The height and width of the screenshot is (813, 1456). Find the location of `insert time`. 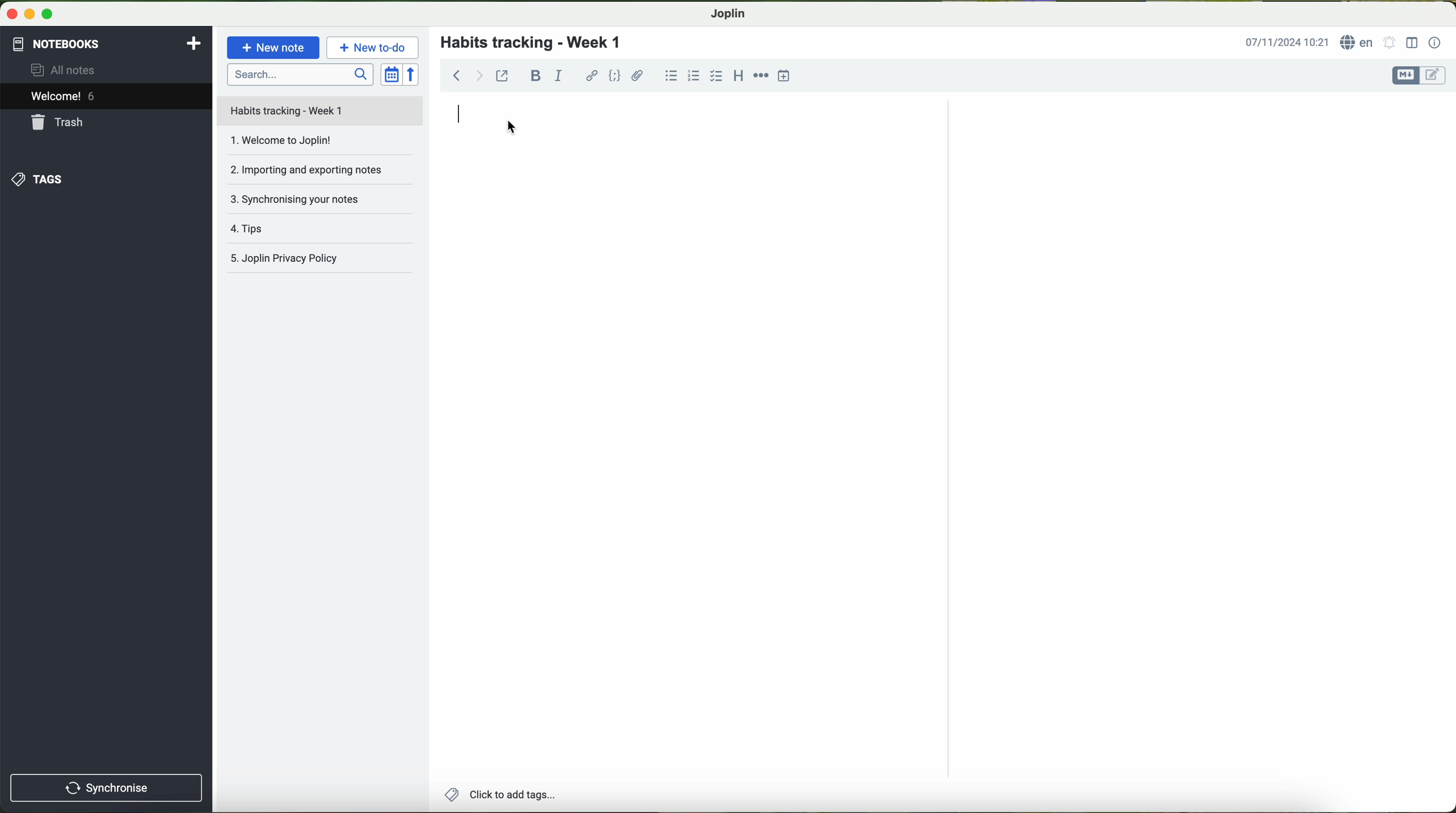

insert time is located at coordinates (784, 76).